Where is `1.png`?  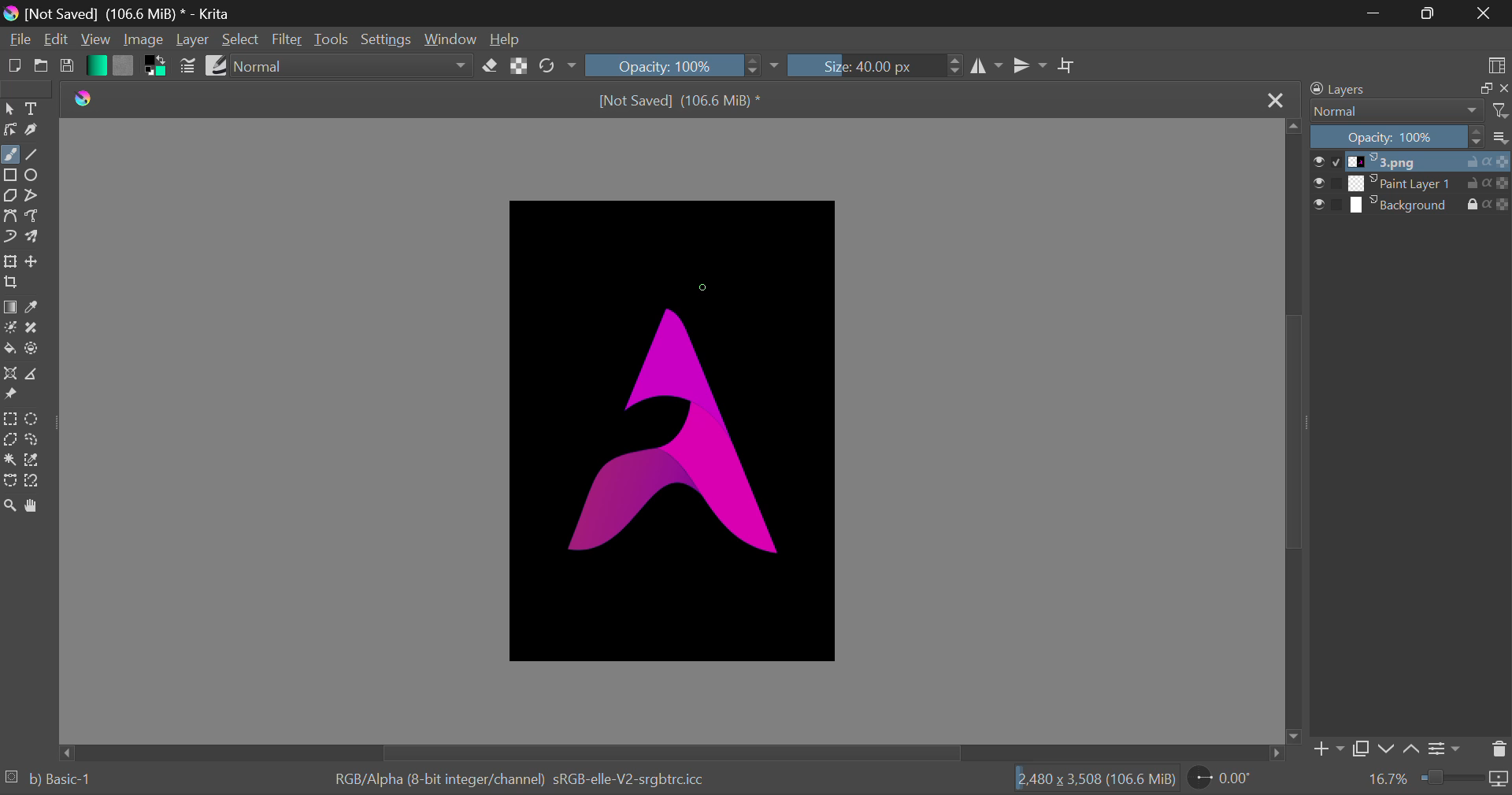
1.png is located at coordinates (1411, 162).